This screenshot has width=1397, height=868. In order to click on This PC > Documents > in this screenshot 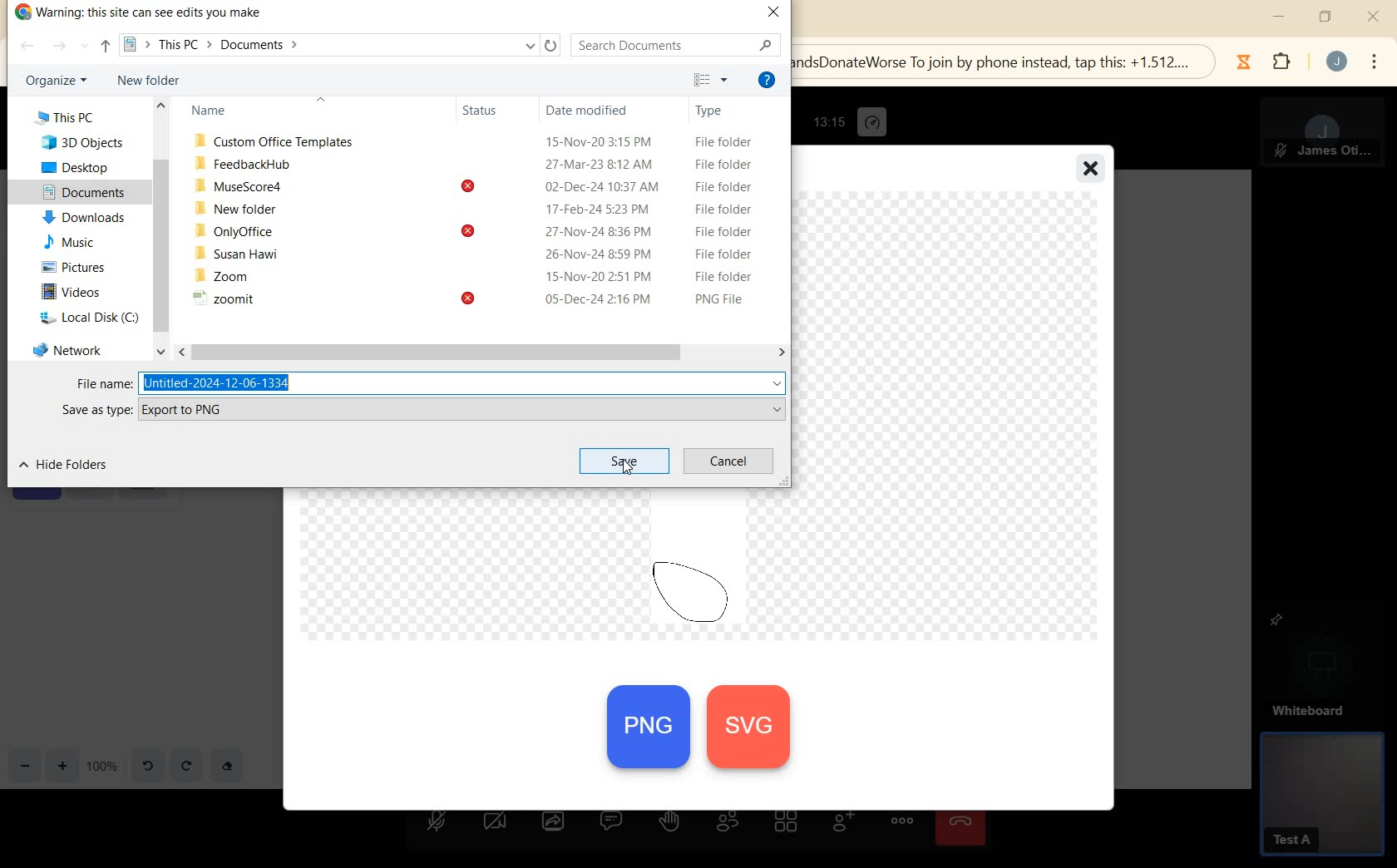, I will do `click(336, 47)`.